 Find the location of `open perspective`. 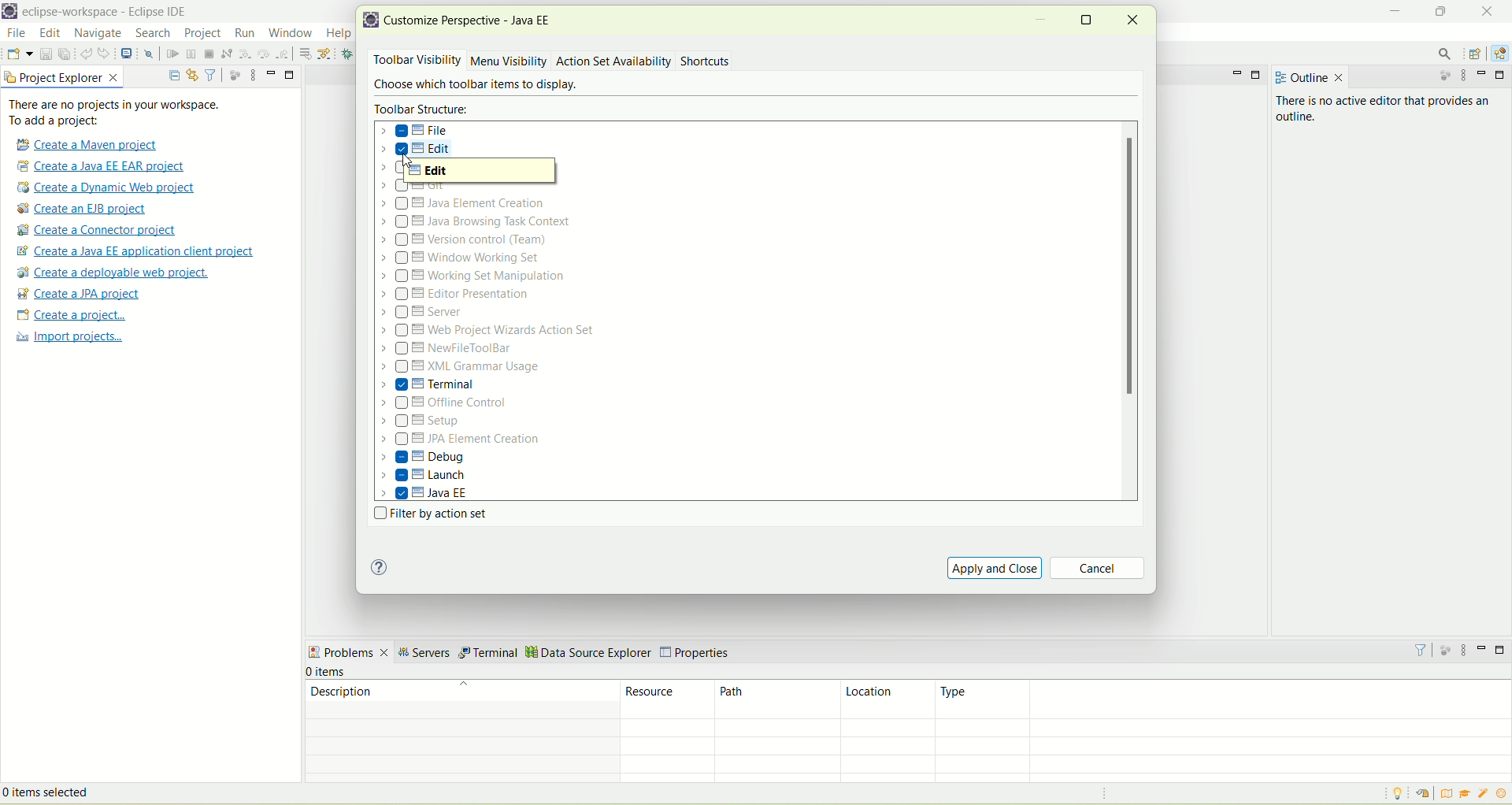

open perspective is located at coordinates (1477, 53).